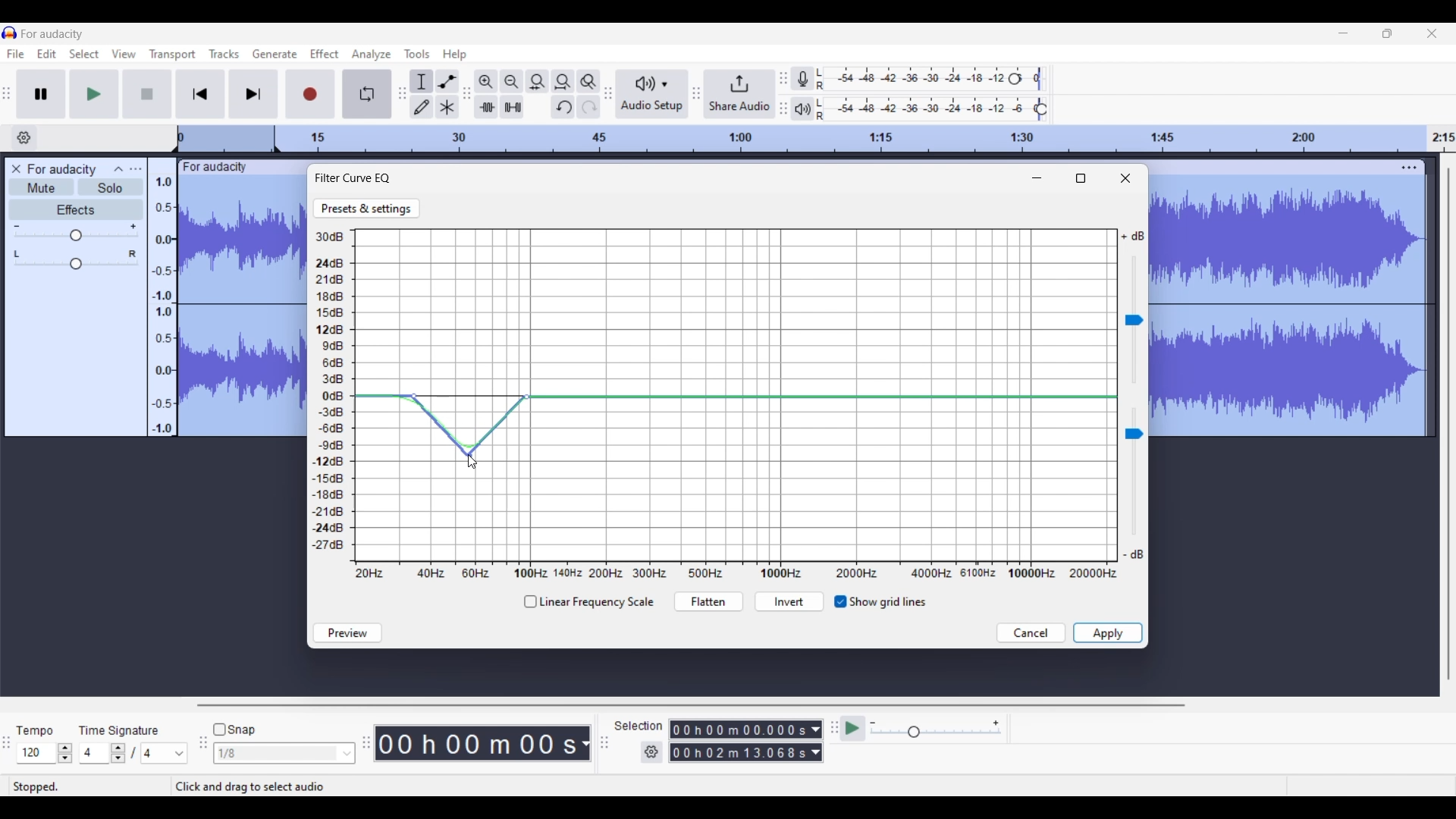  What do you see at coordinates (1432, 33) in the screenshot?
I see `Close interface` at bounding box center [1432, 33].